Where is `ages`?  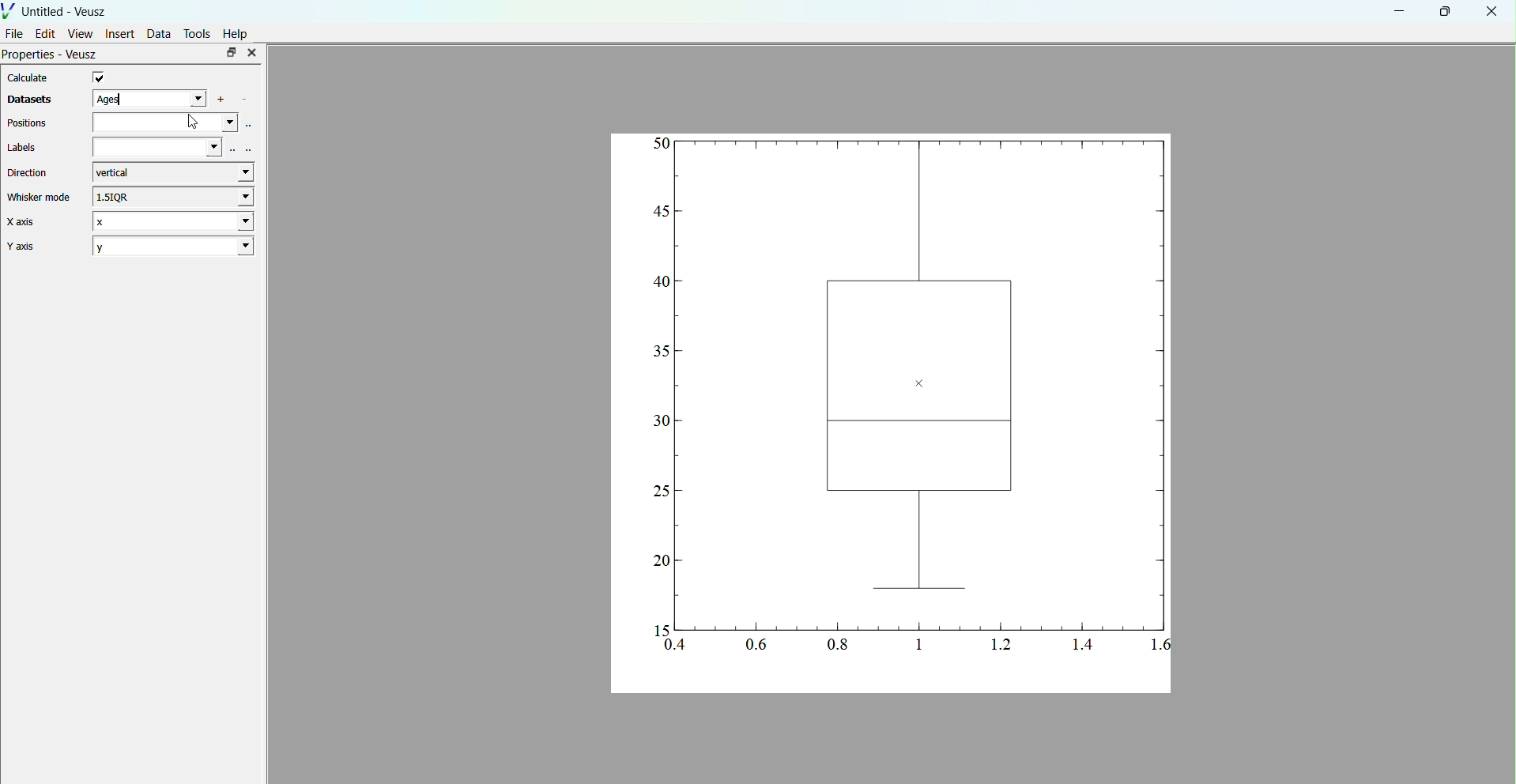 ages is located at coordinates (150, 98).